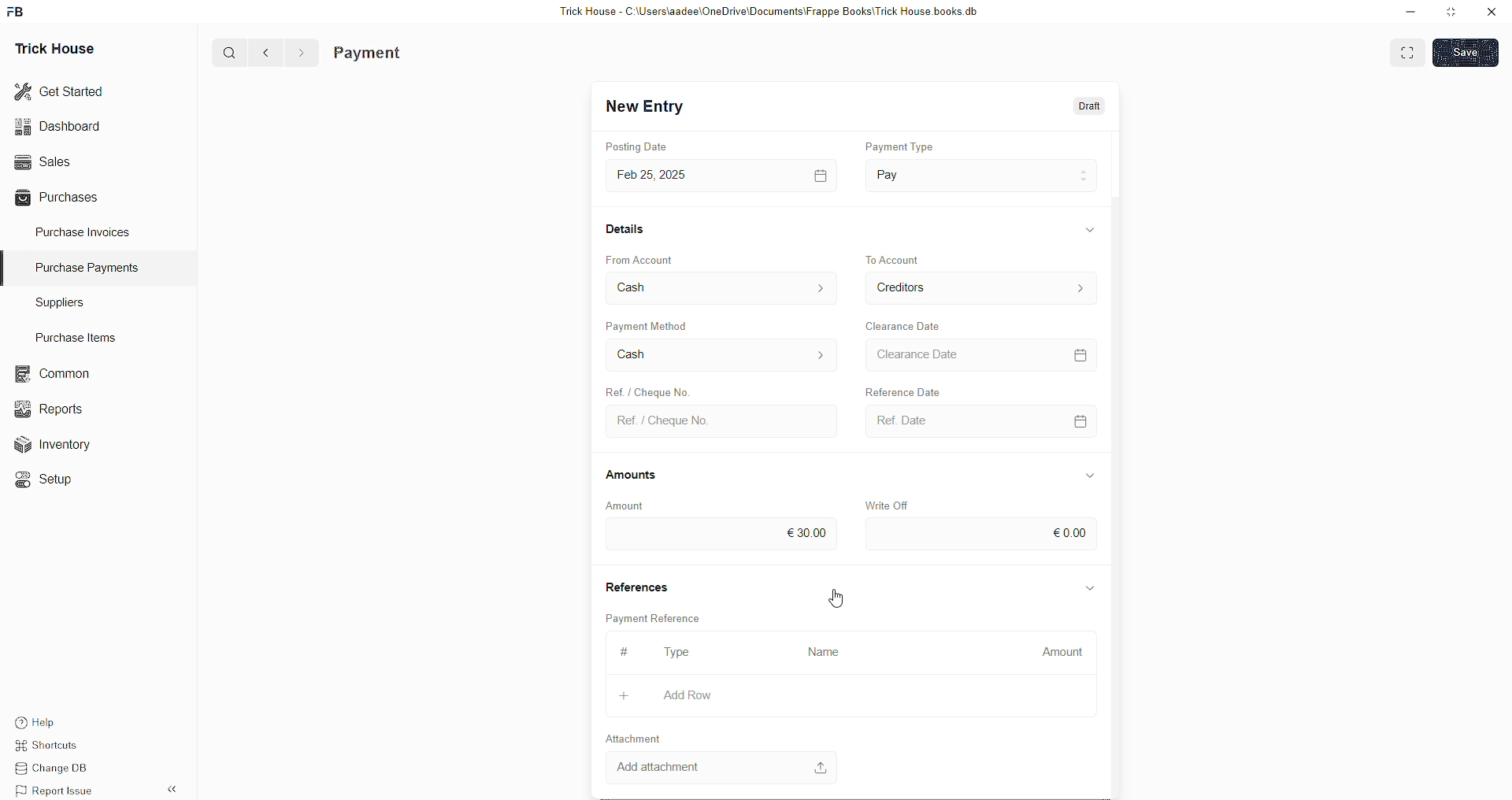 This screenshot has height=800, width=1512. Describe the element at coordinates (640, 585) in the screenshot. I see `References` at that location.